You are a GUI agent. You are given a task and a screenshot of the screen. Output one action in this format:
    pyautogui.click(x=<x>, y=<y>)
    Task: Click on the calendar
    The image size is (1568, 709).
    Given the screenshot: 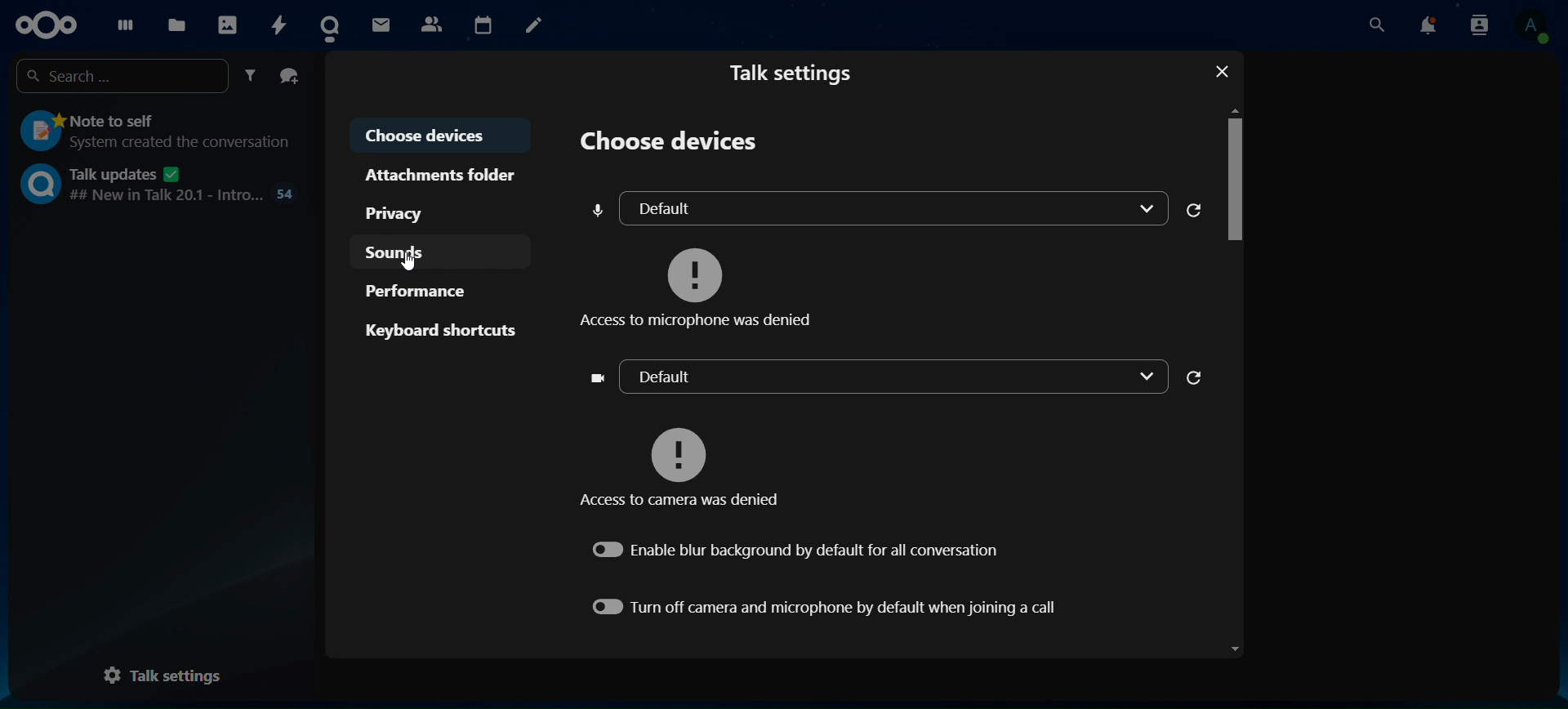 What is the action you would take?
    pyautogui.click(x=482, y=23)
    